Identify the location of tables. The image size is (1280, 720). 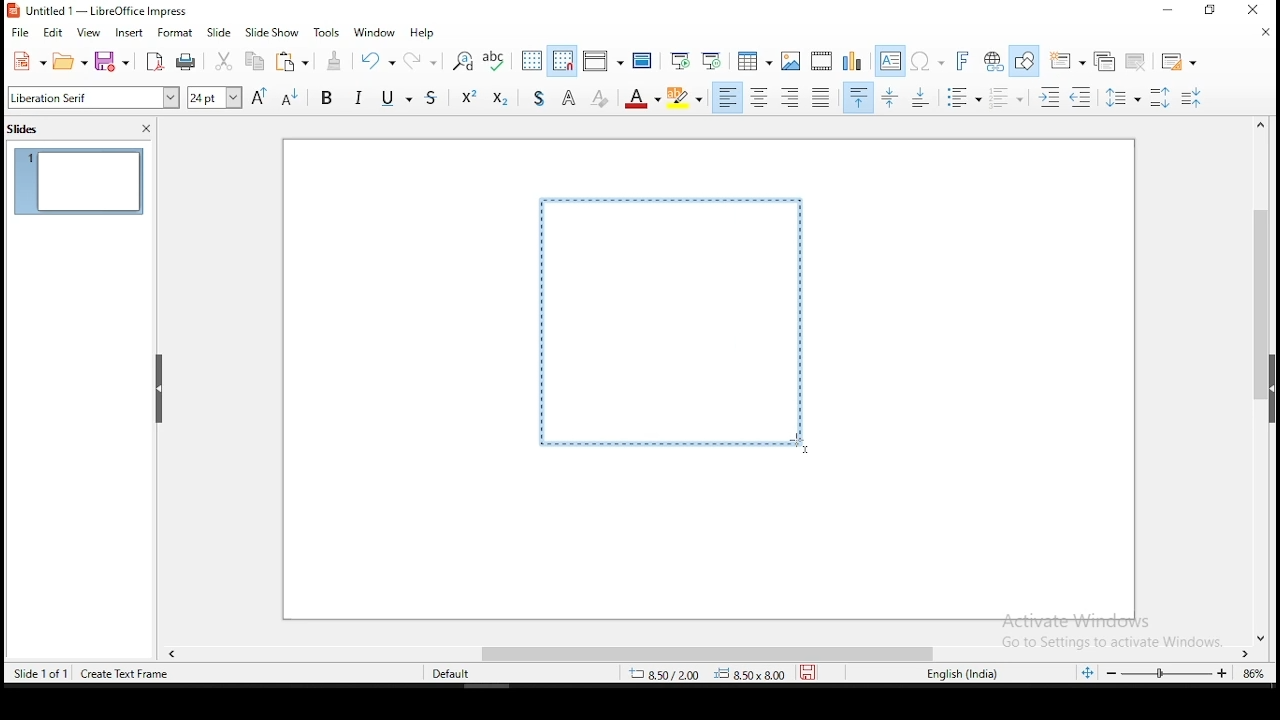
(756, 61).